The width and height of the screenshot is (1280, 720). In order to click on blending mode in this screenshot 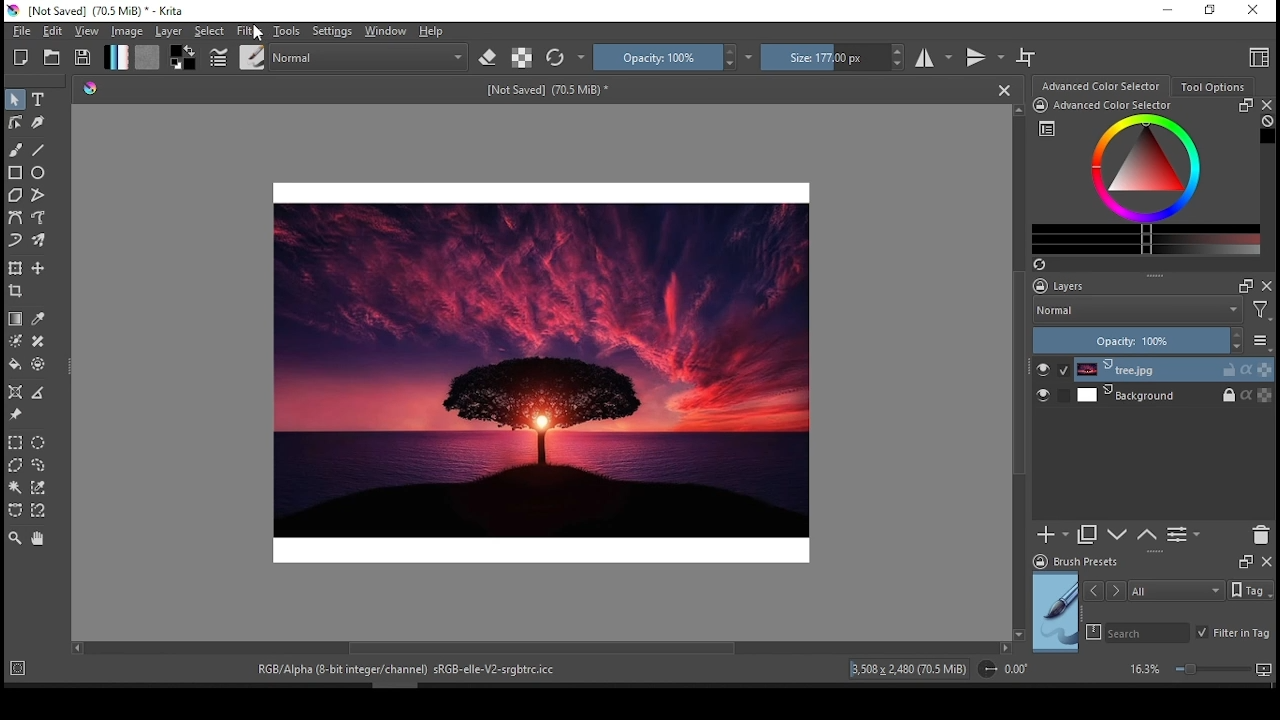, I will do `click(370, 58)`.